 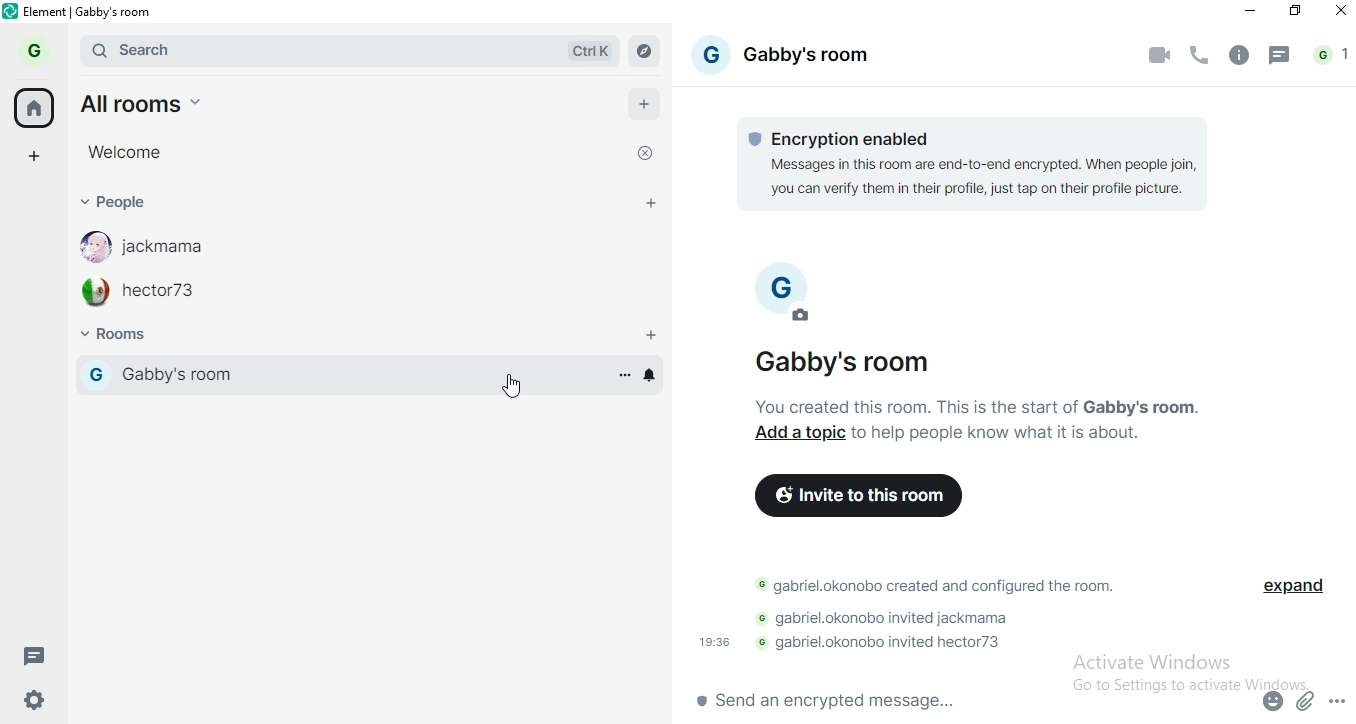 What do you see at coordinates (127, 336) in the screenshot?
I see `rooms` at bounding box center [127, 336].